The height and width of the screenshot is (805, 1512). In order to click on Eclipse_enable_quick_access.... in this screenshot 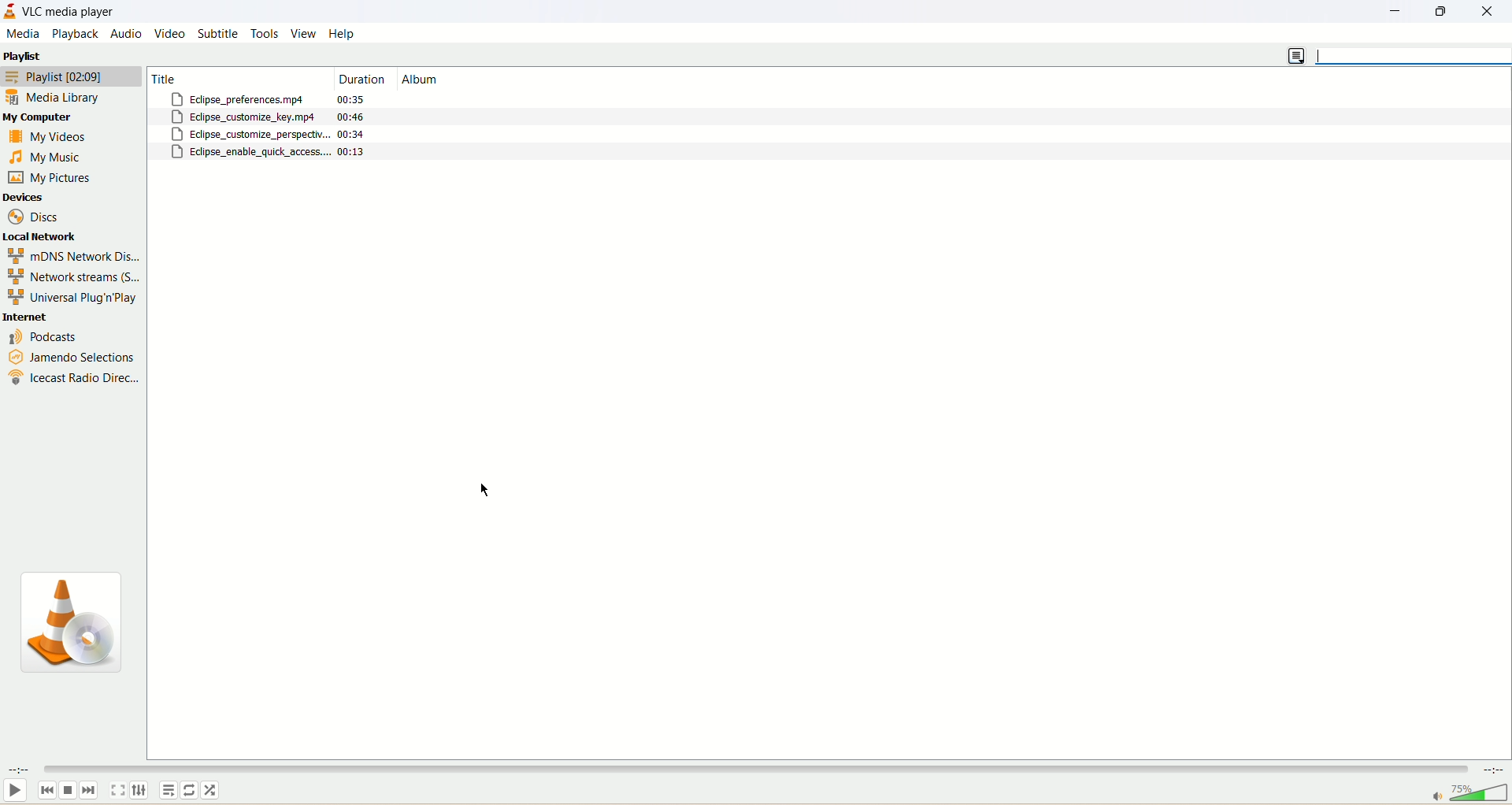, I will do `click(250, 151)`.